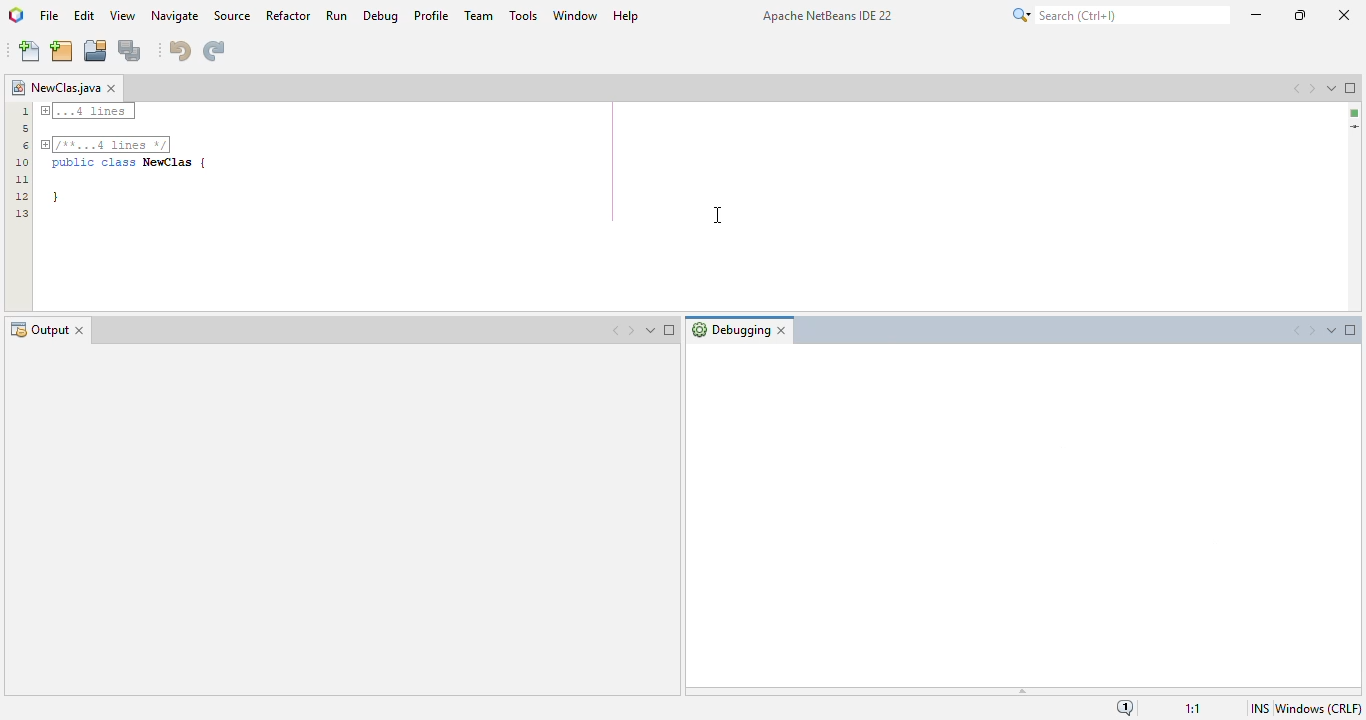 Image resolution: width=1366 pixels, height=720 pixels. I want to click on 1:1, so click(1195, 706).